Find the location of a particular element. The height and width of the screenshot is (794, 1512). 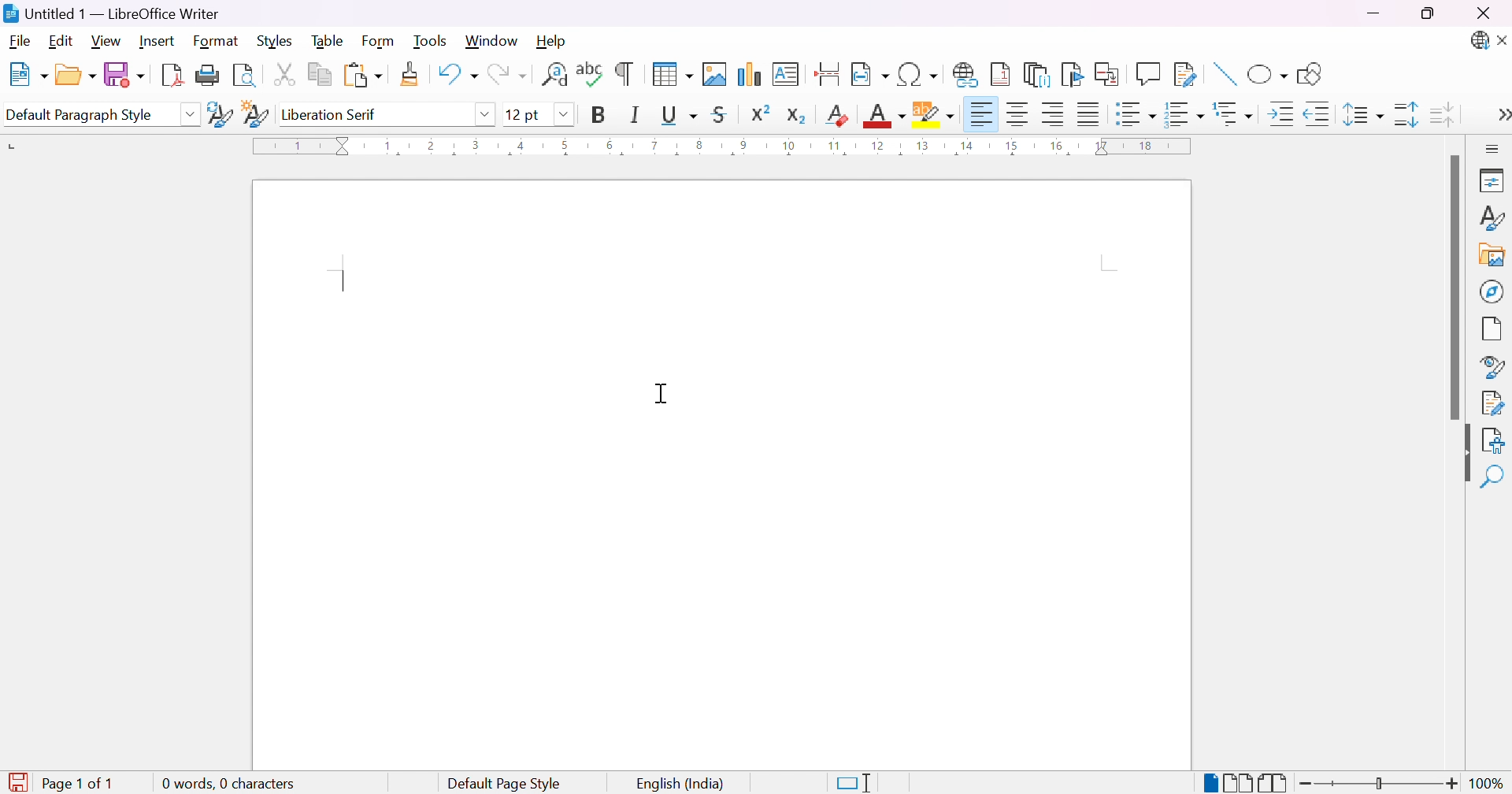

Insert text box is located at coordinates (785, 74).